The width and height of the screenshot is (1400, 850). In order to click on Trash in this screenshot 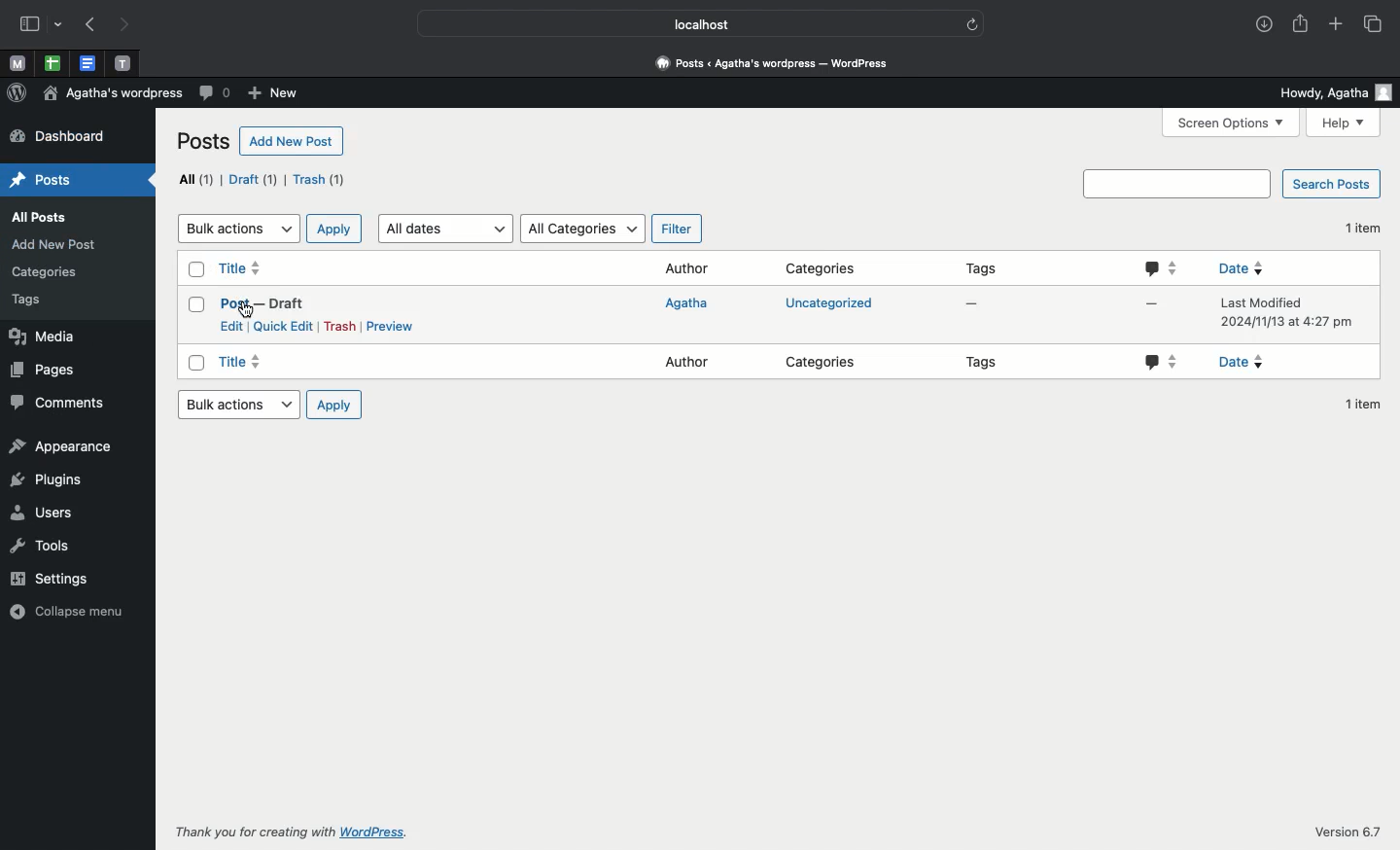, I will do `click(338, 326)`.